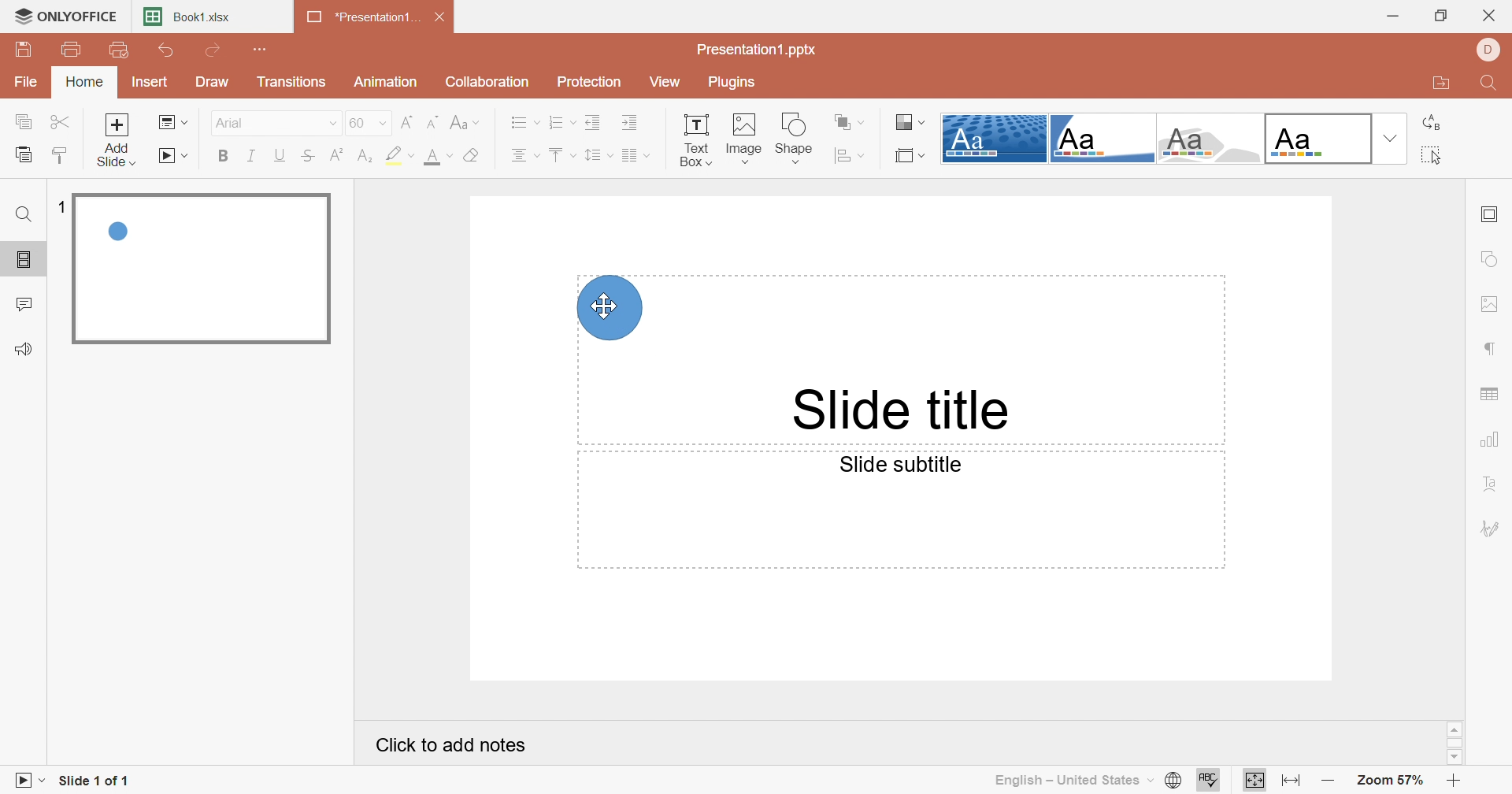 This screenshot has width=1512, height=794. What do you see at coordinates (1492, 440) in the screenshot?
I see `Chart settings` at bounding box center [1492, 440].